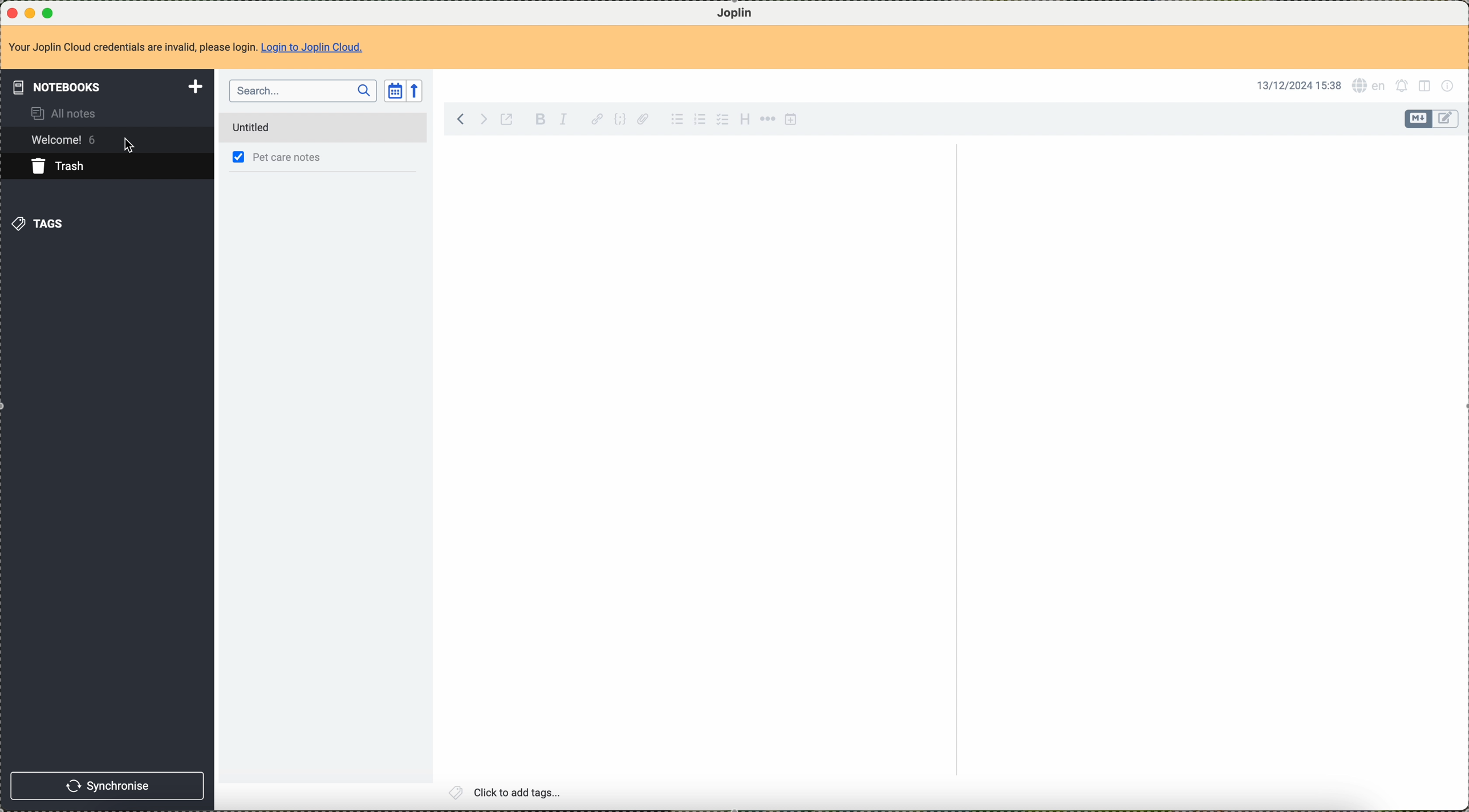 The image size is (1469, 812). What do you see at coordinates (465, 119) in the screenshot?
I see `back` at bounding box center [465, 119].